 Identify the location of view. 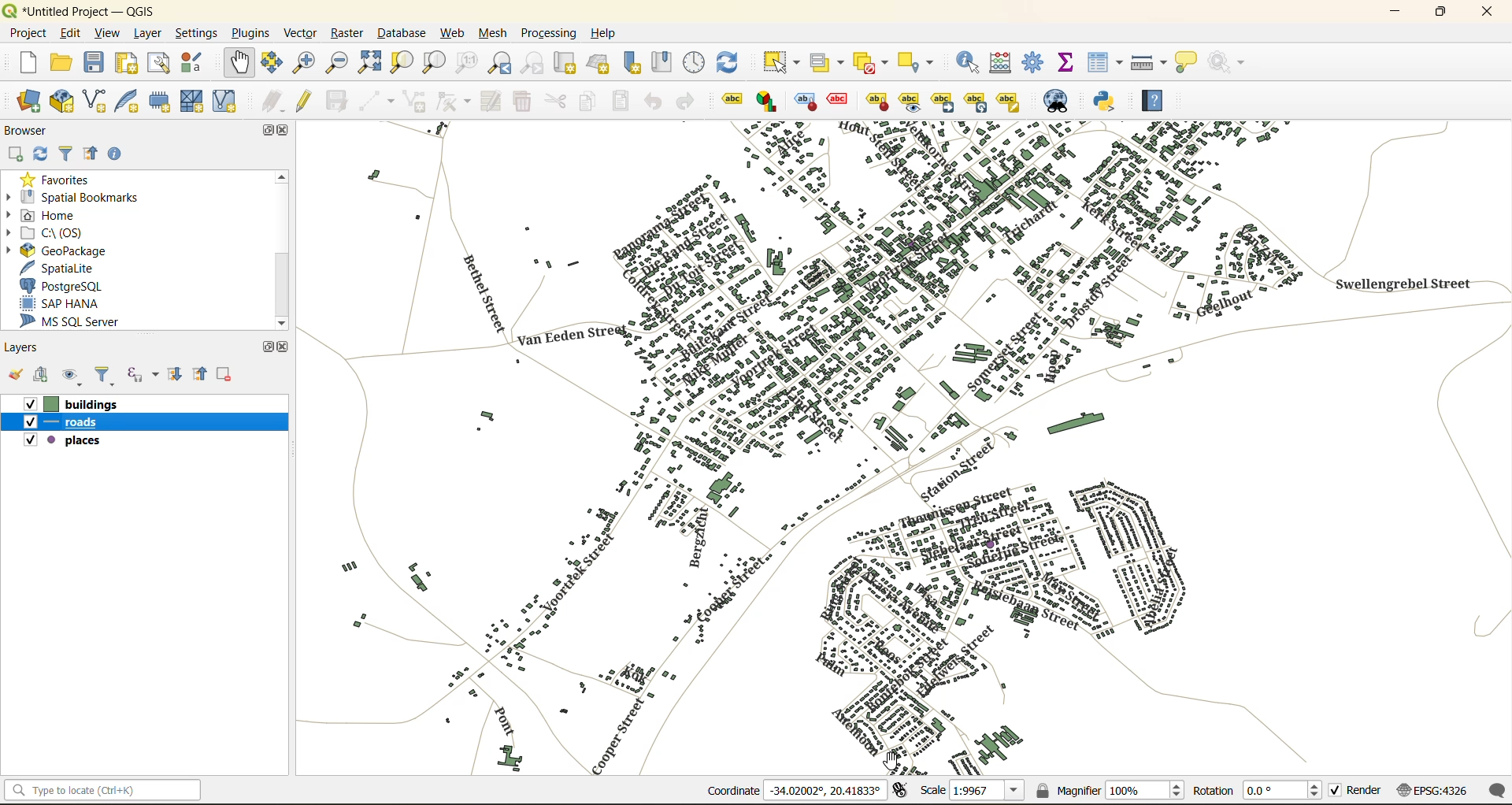
(108, 34).